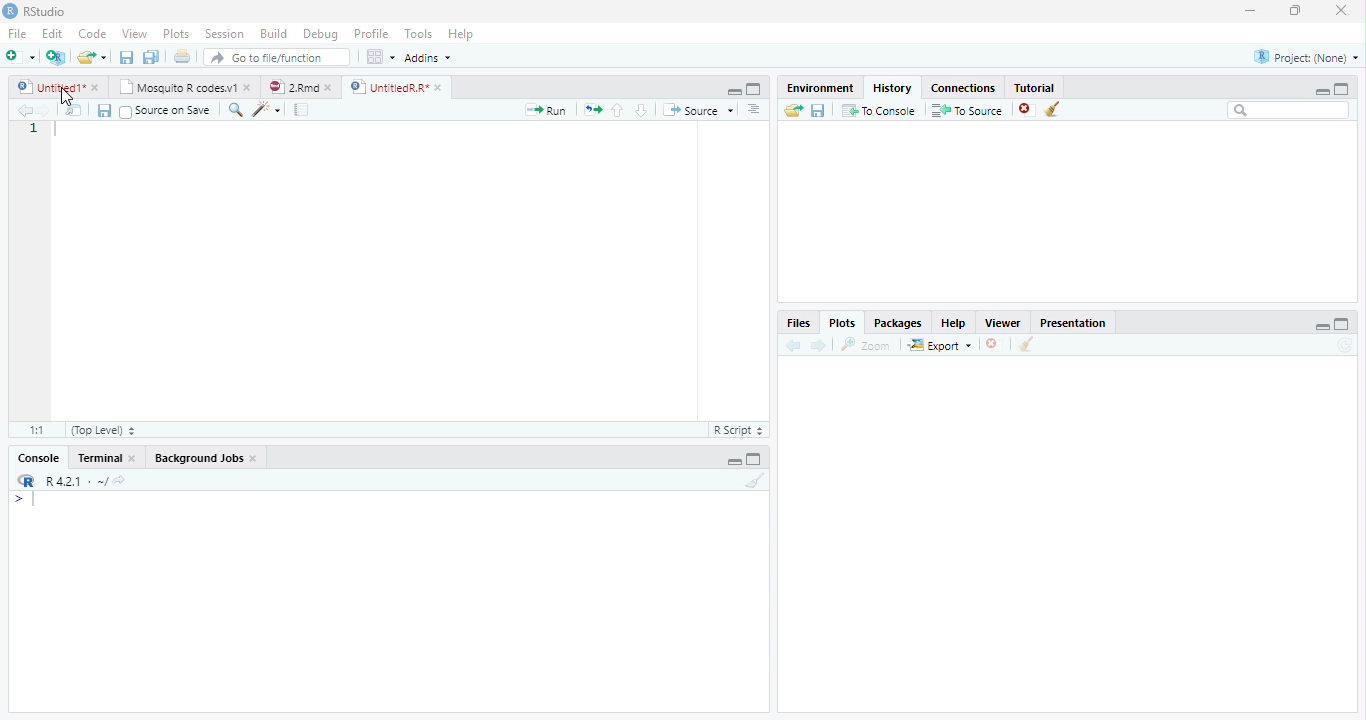 The height and width of the screenshot is (720, 1366). What do you see at coordinates (372, 35) in the screenshot?
I see `Profile` at bounding box center [372, 35].